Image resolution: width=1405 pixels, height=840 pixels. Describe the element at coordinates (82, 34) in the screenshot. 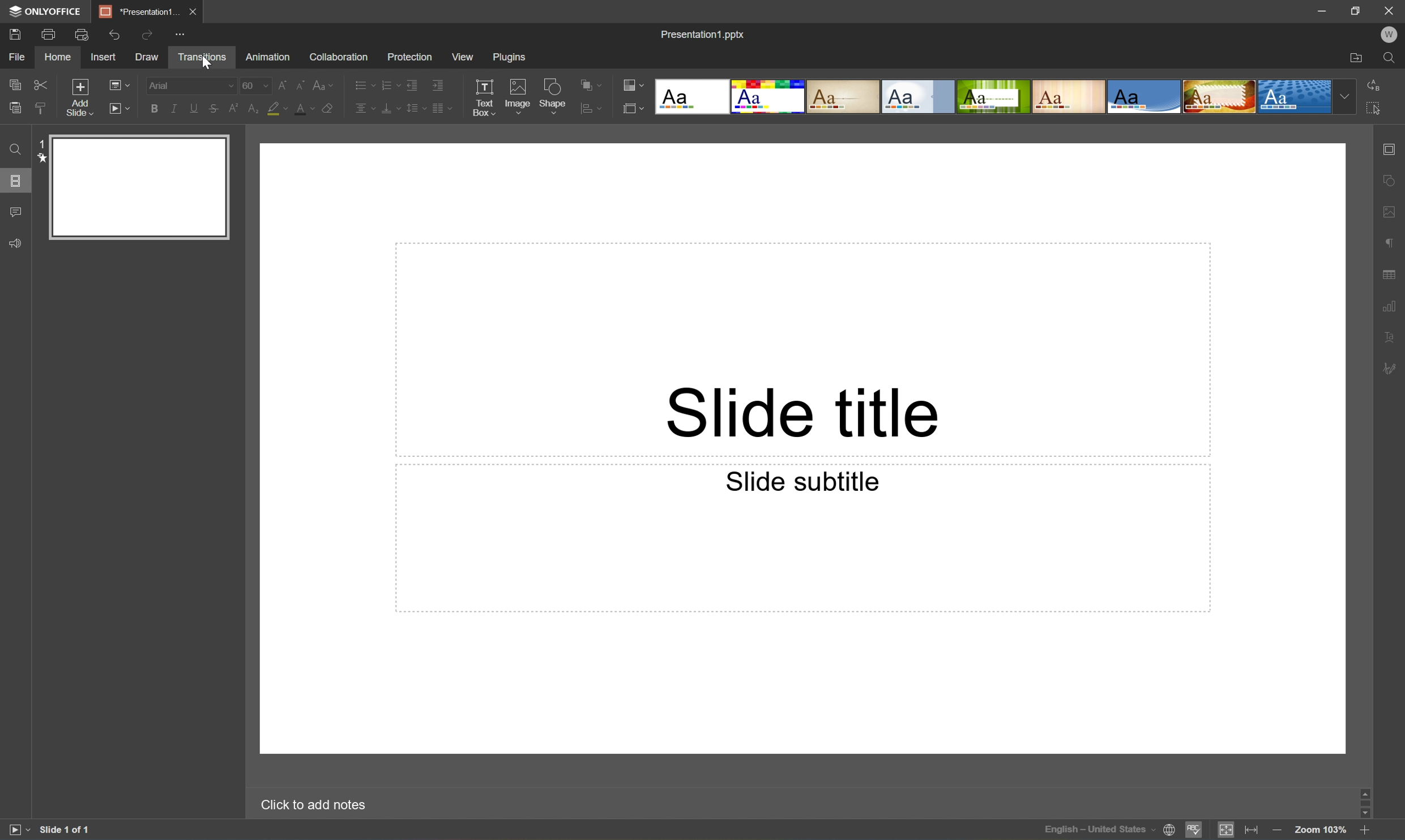

I see `Quick print` at that location.